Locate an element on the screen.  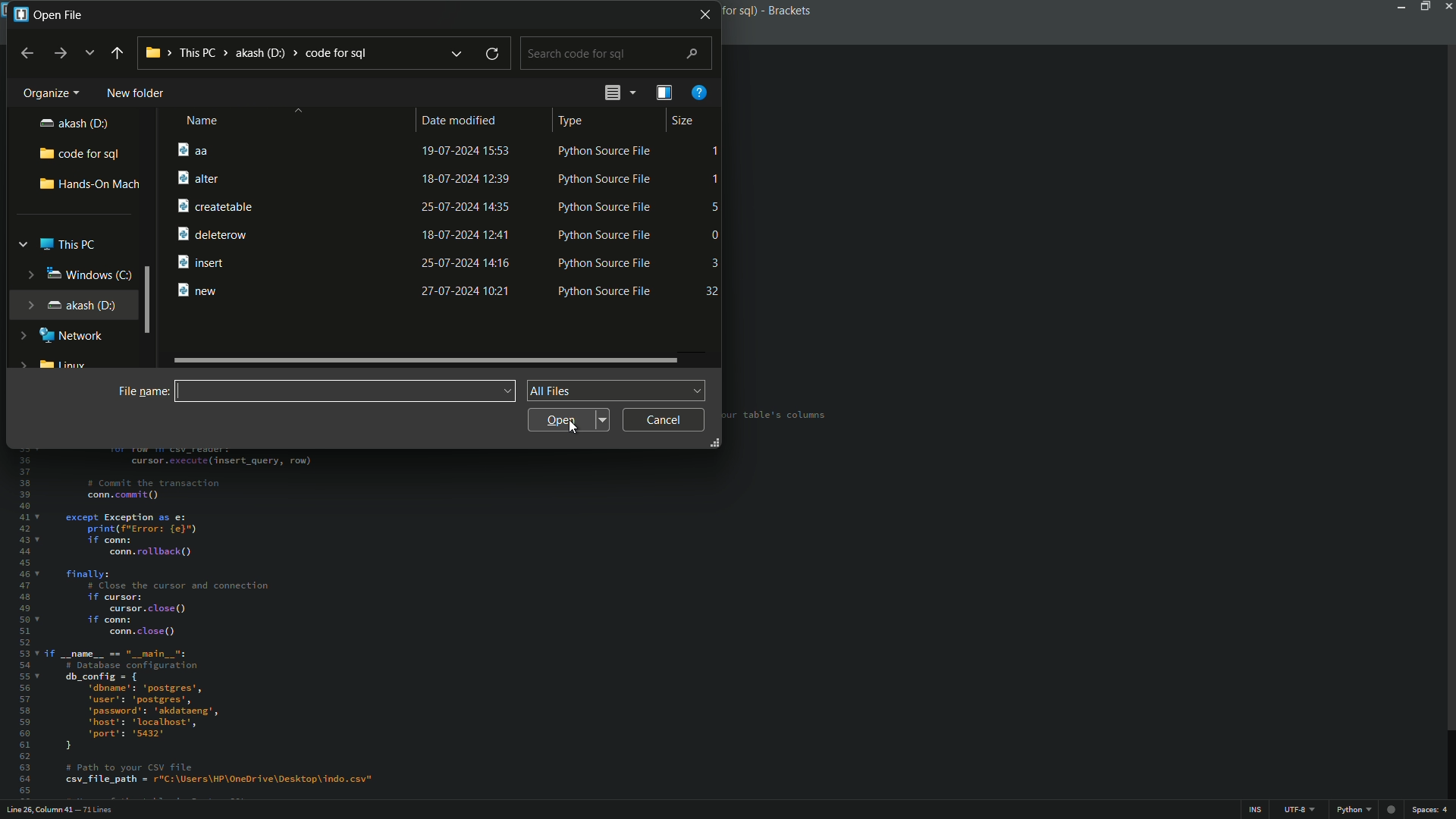
scroll bar is located at coordinates (1447, 389).